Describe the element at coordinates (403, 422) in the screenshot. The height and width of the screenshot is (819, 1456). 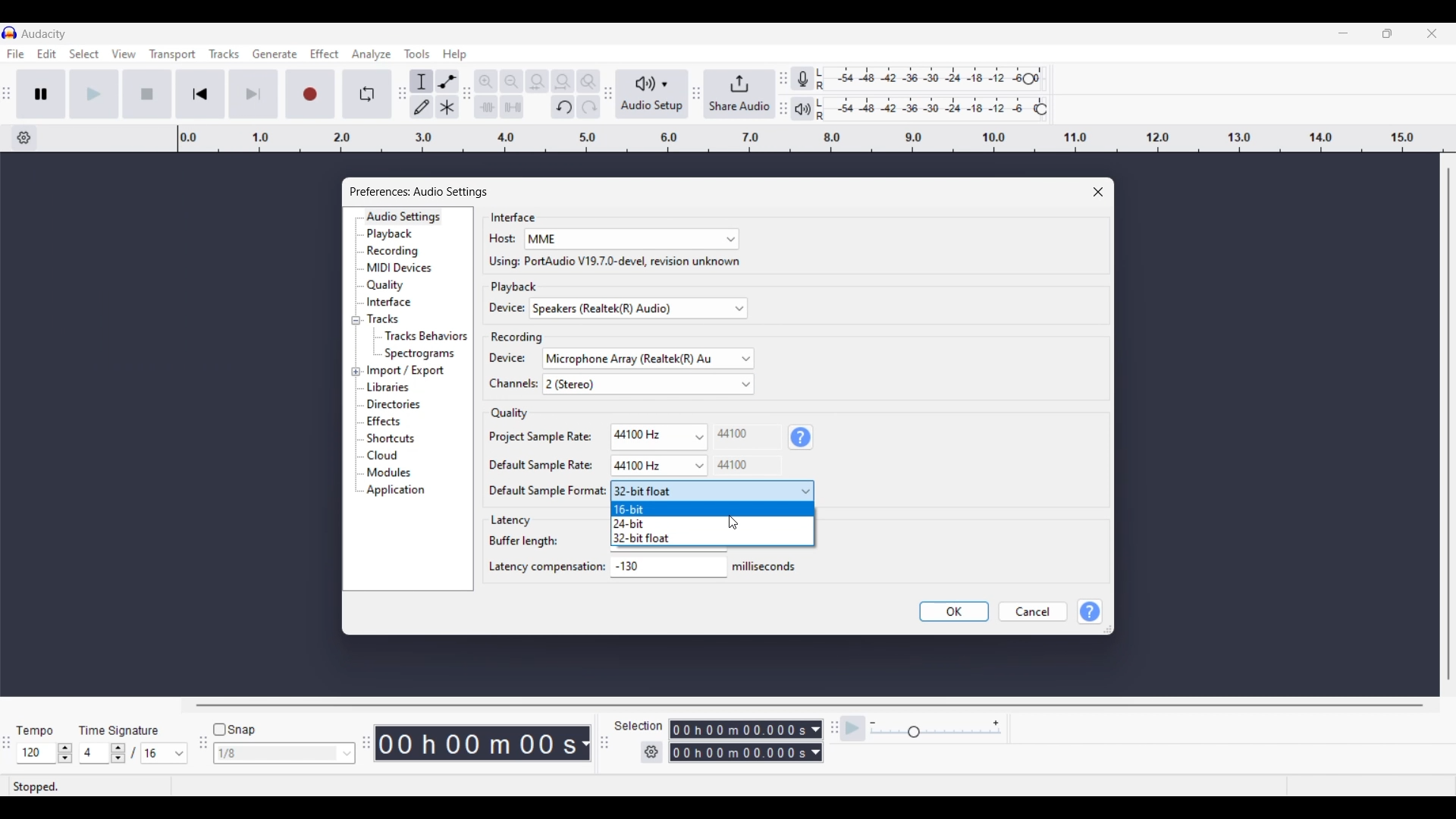
I see `Effects` at that location.